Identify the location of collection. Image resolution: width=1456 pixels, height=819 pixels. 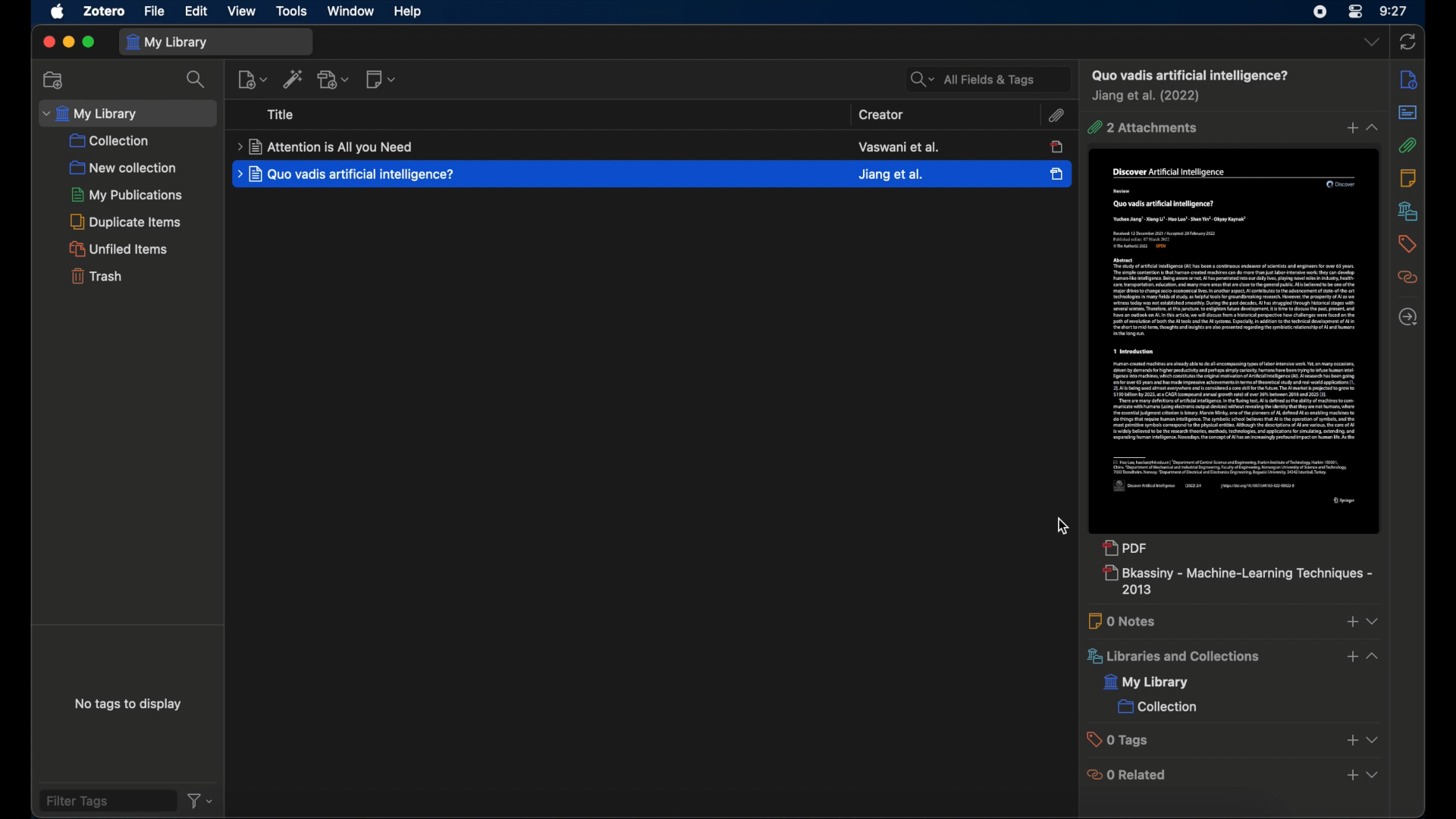
(1160, 708).